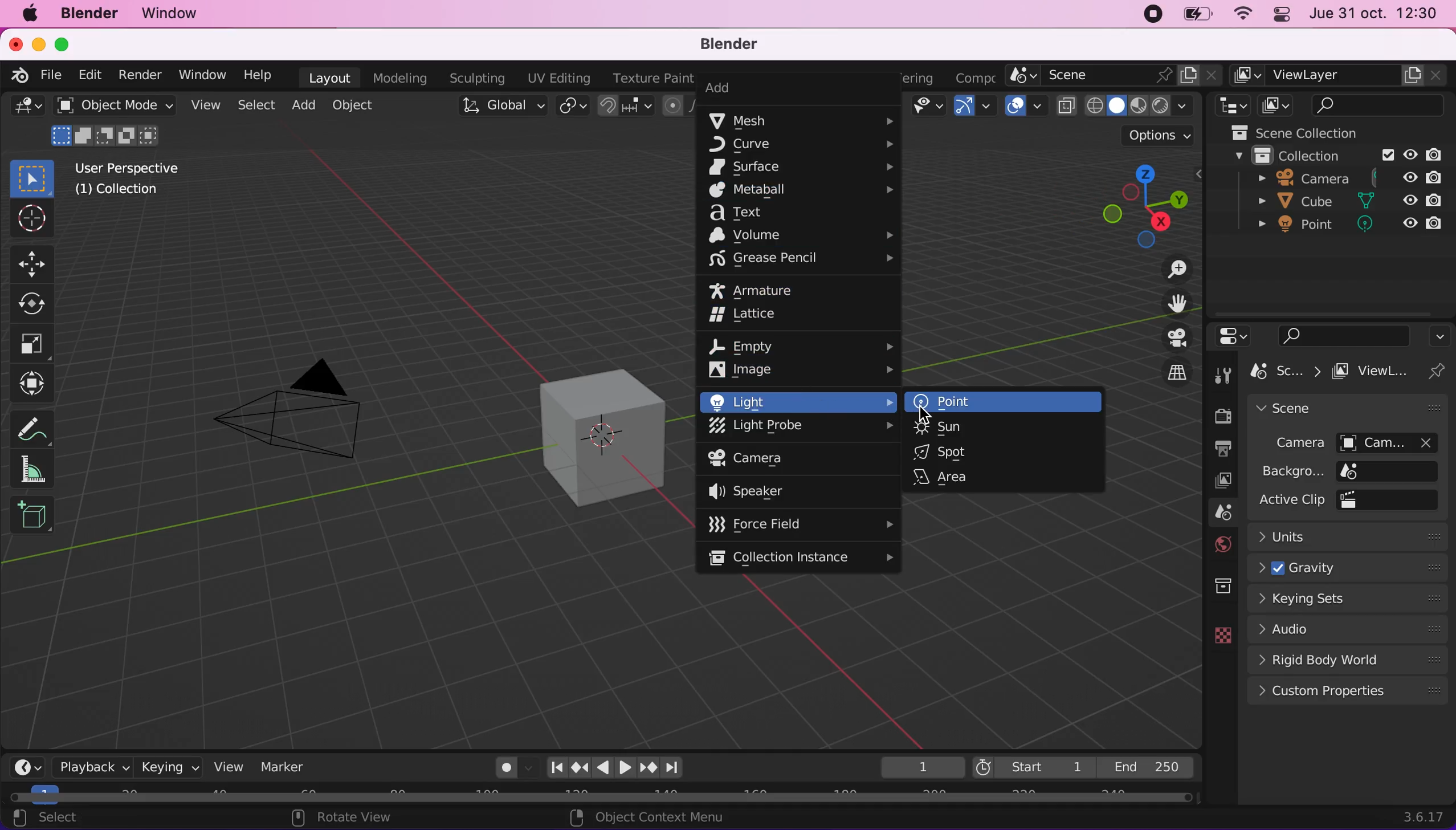  Describe the element at coordinates (930, 109) in the screenshot. I see `view object types` at that location.